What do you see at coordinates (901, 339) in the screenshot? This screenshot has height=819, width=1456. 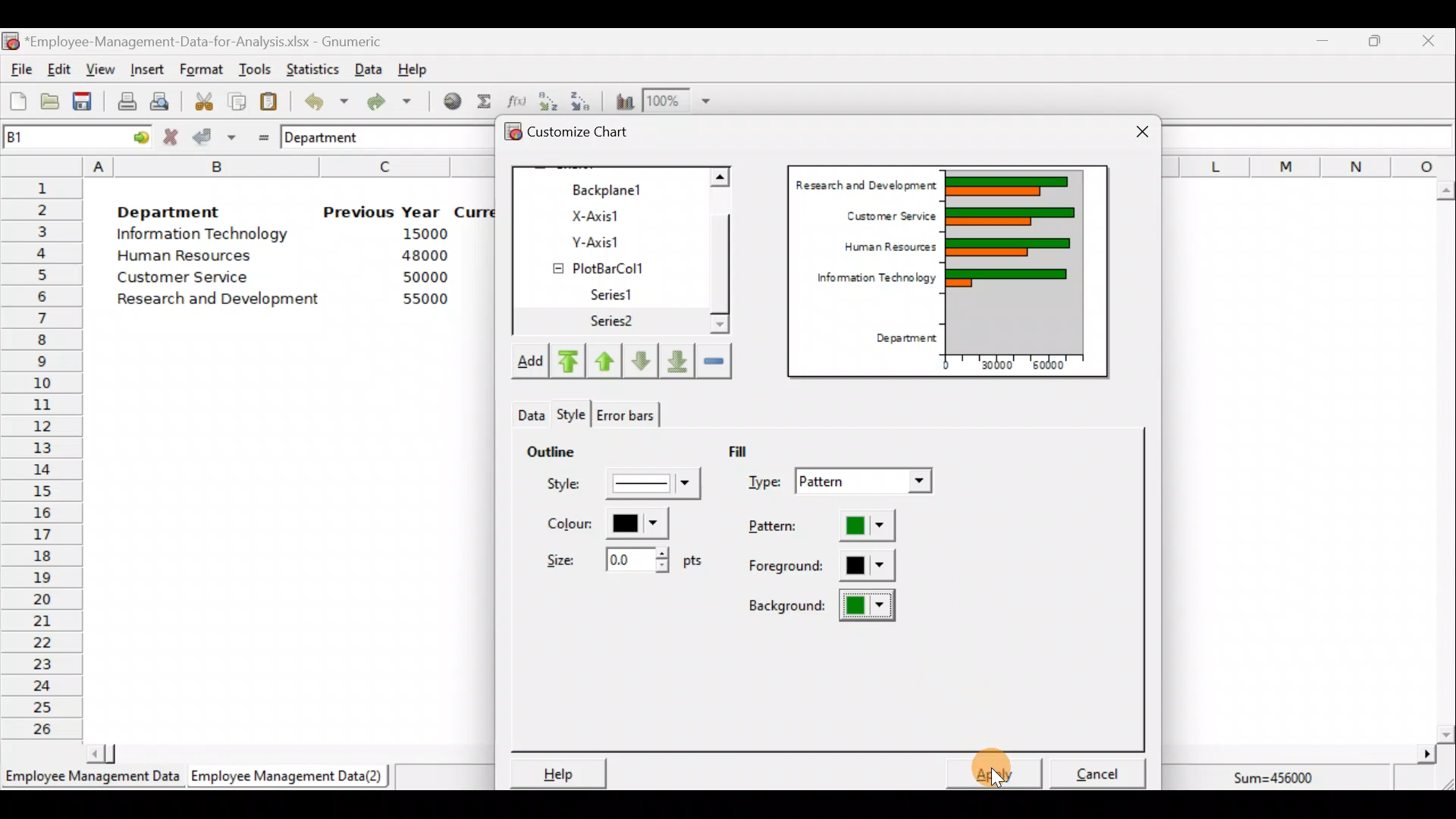 I see `Department` at bounding box center [901, 339].